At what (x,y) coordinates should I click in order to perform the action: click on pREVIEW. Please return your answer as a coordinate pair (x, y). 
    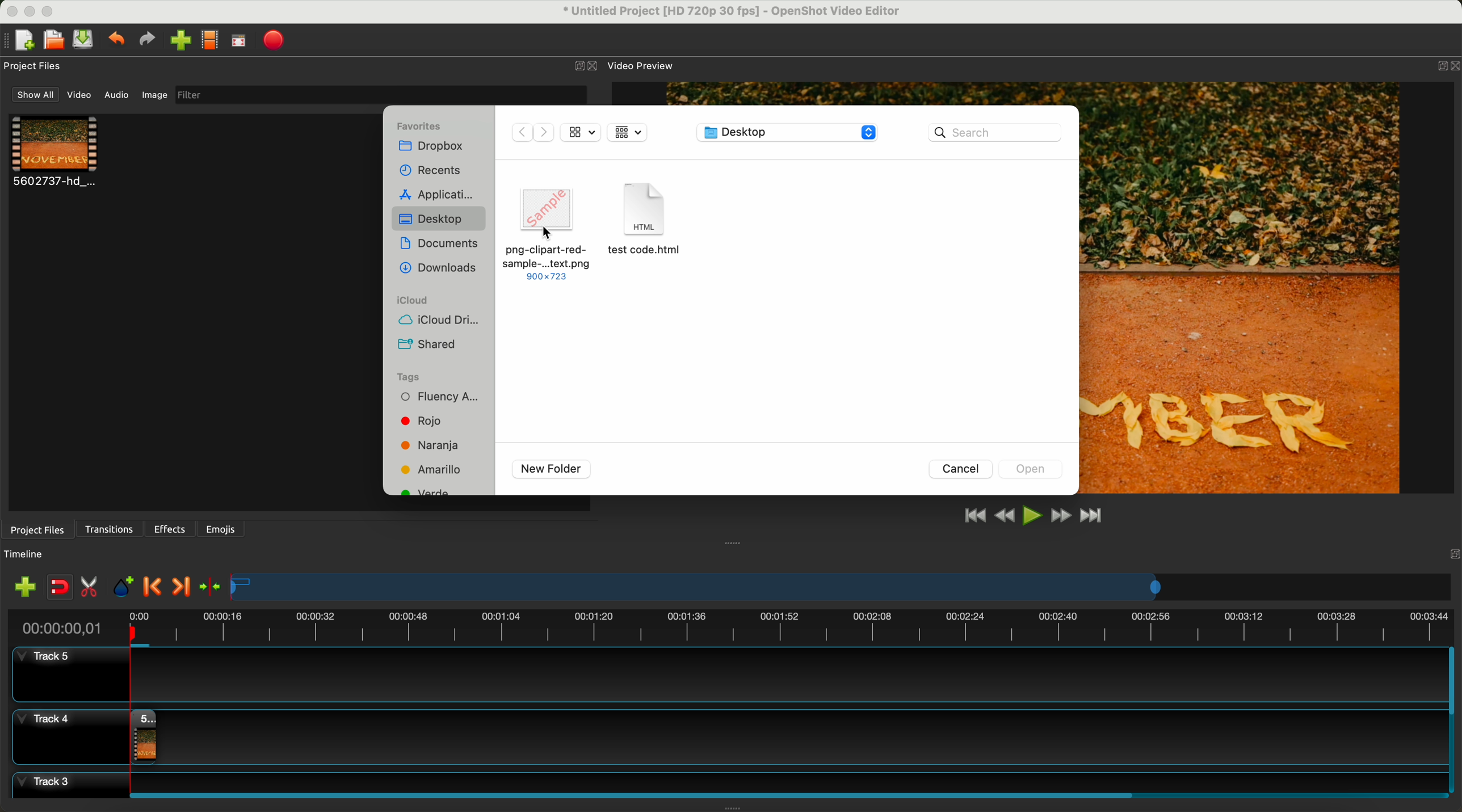
    Looking at the image, I should click on (1247, 287).